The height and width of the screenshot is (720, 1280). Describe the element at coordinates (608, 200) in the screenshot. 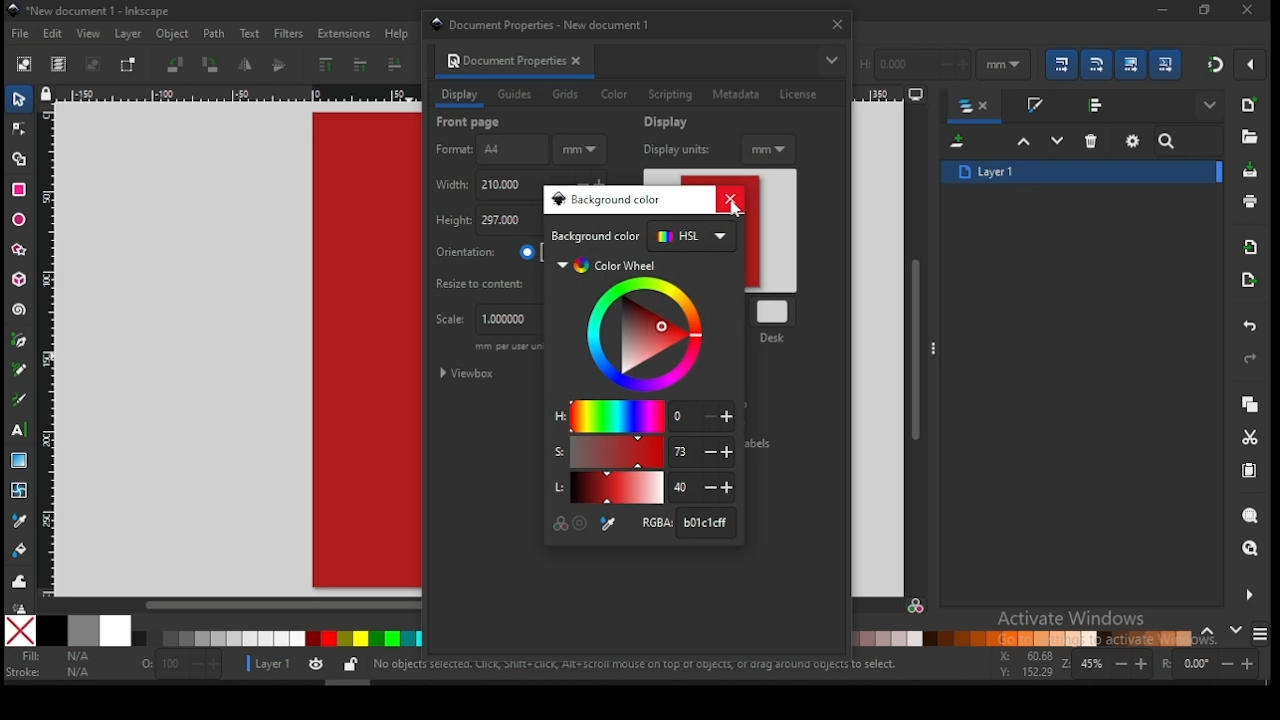

I see `background color selection window` at that location.